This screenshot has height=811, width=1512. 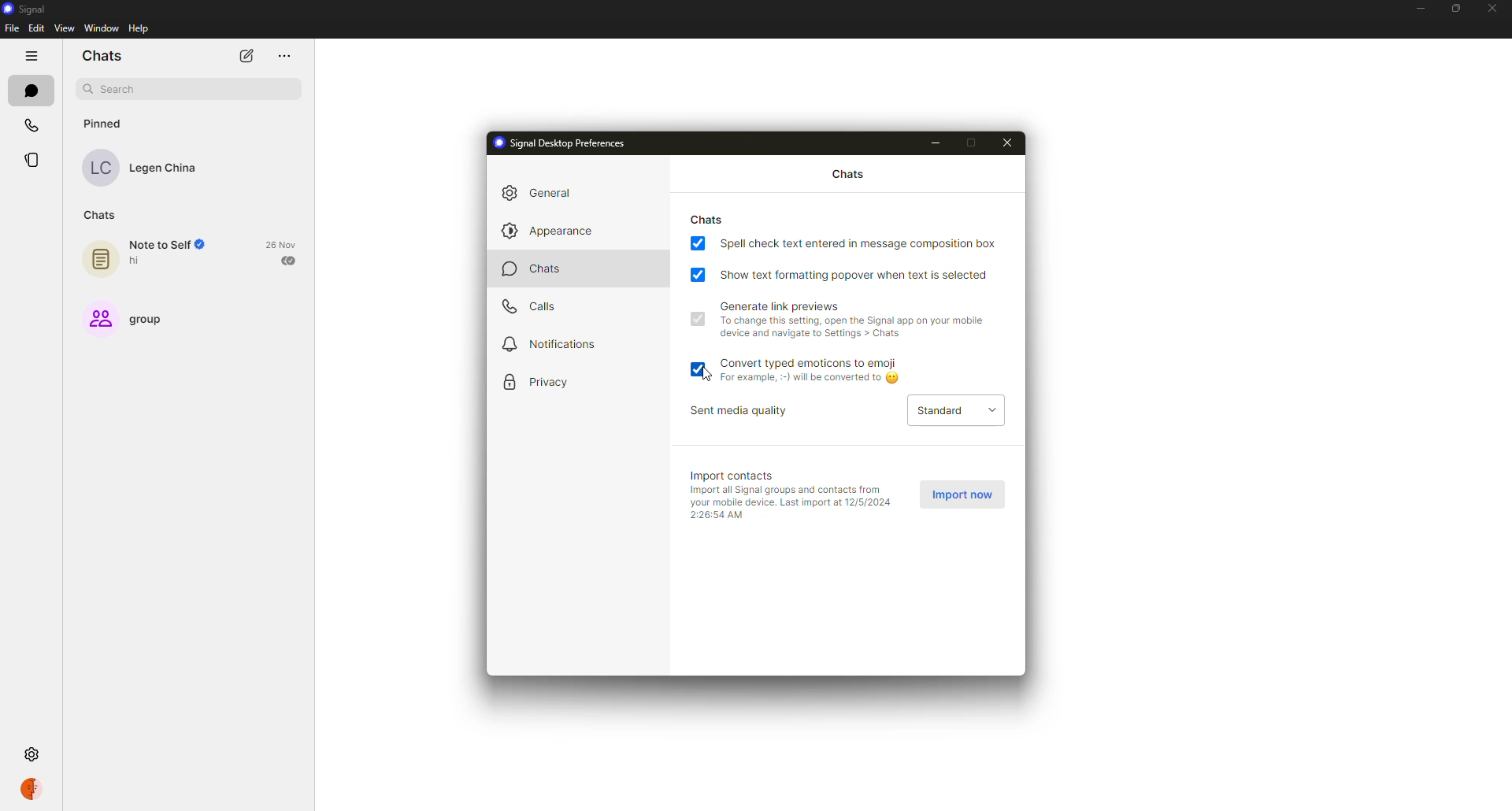 What do you see at coordinates (965, 494) in the screenshot?
I see `import now` at bounding box center [965, 494].